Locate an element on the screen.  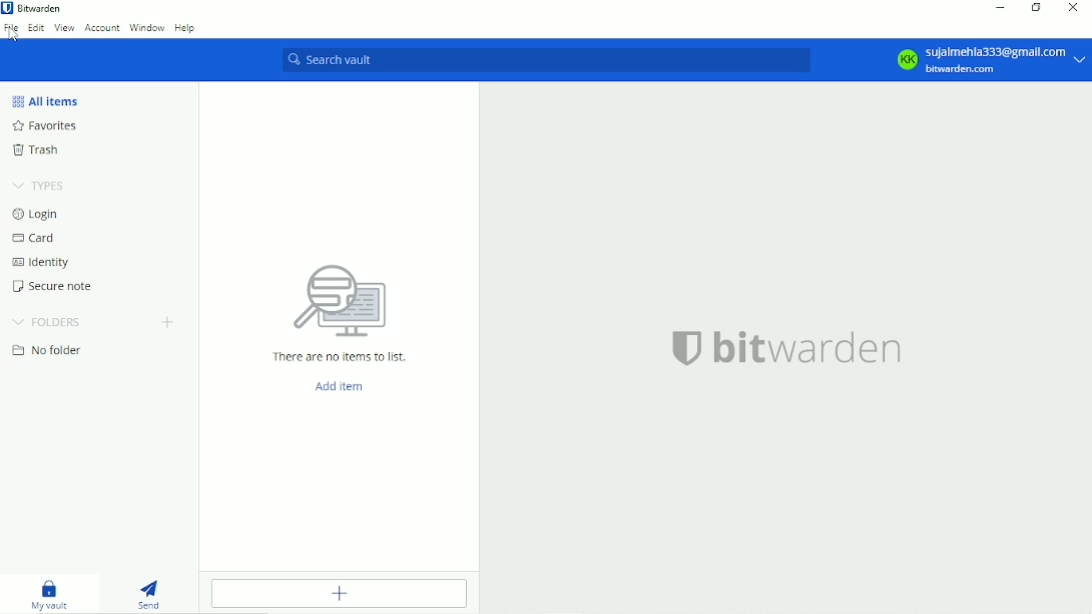
Help is located at coordinates (186, 27).